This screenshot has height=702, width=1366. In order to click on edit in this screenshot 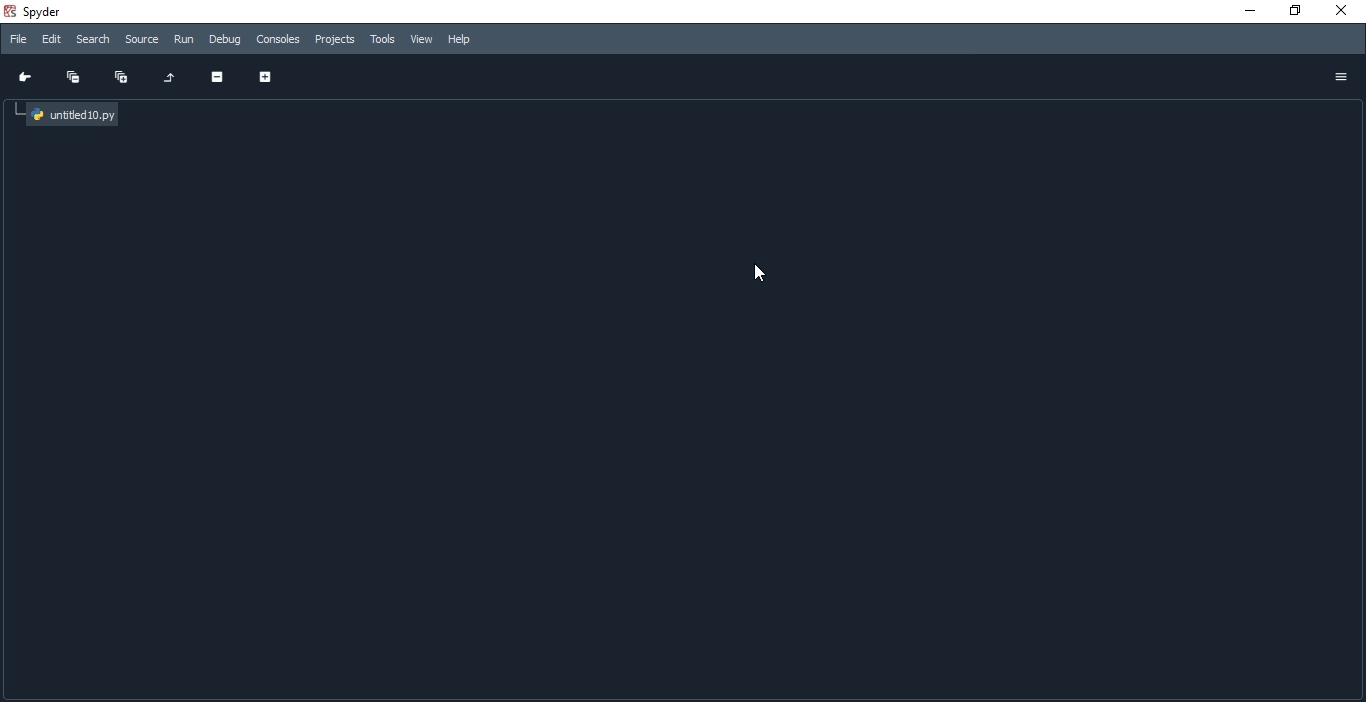, I will do `click(51, 39)`.